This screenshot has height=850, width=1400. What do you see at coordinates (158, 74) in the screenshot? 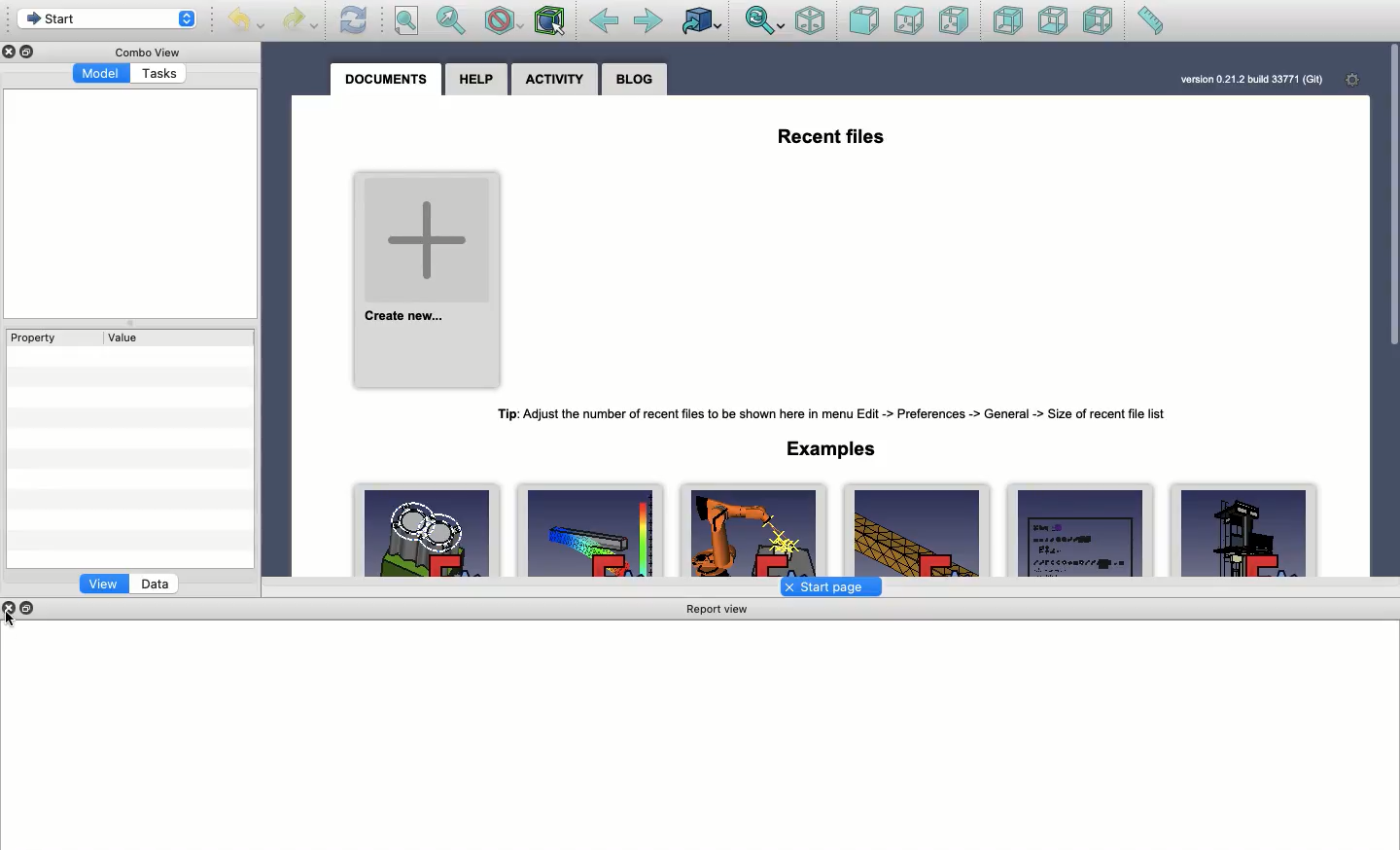
I see `Tasks` at bounding box center [158, 74].